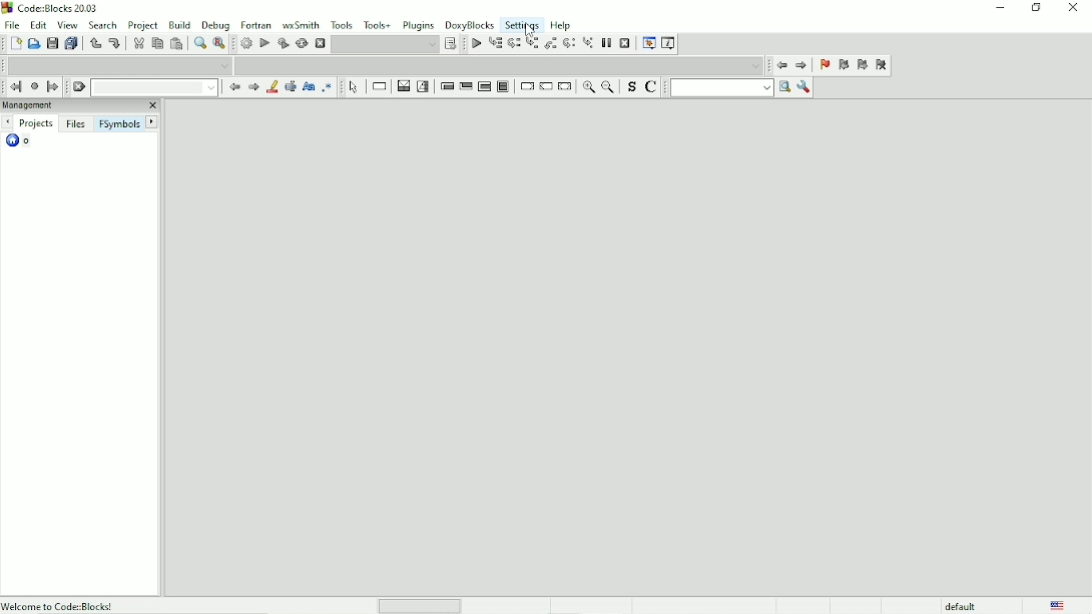 Image resolution: width=1092 pixels, height=614 pixels. I want to click on Counting loop, so click(484, 88).